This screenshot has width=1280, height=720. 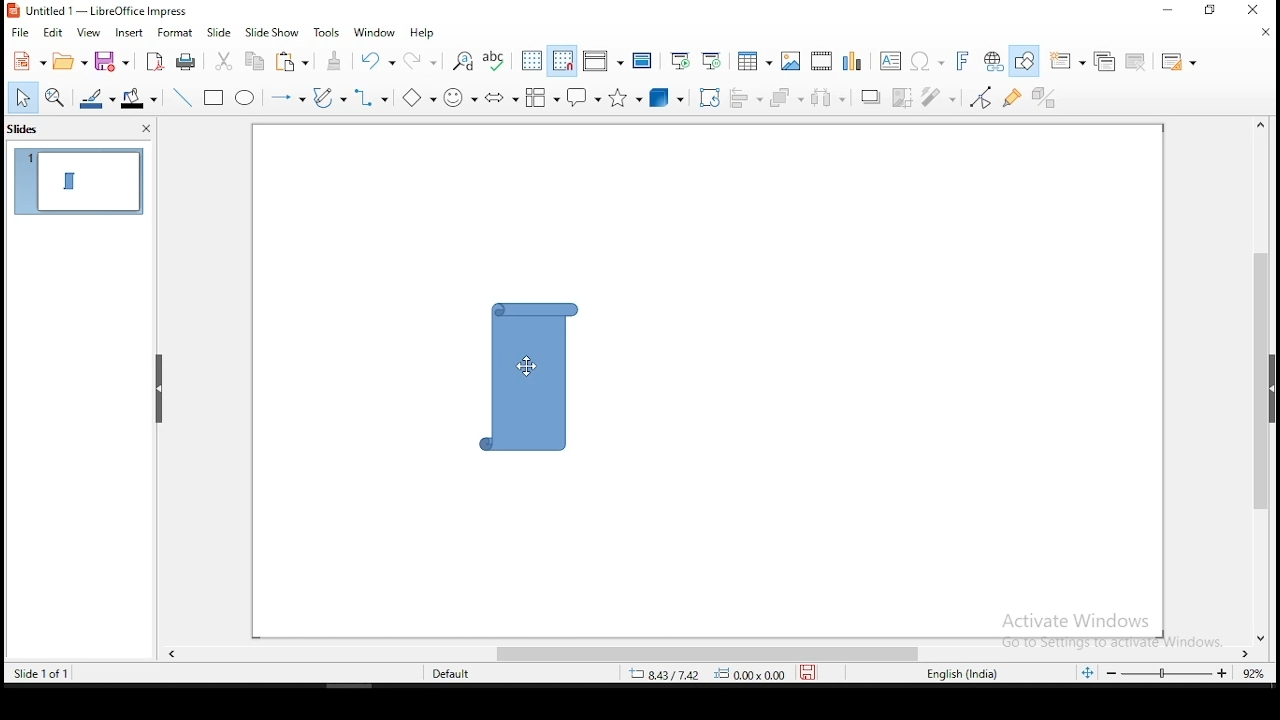 I want to click on englisg (india), so click(x=953, y=673).